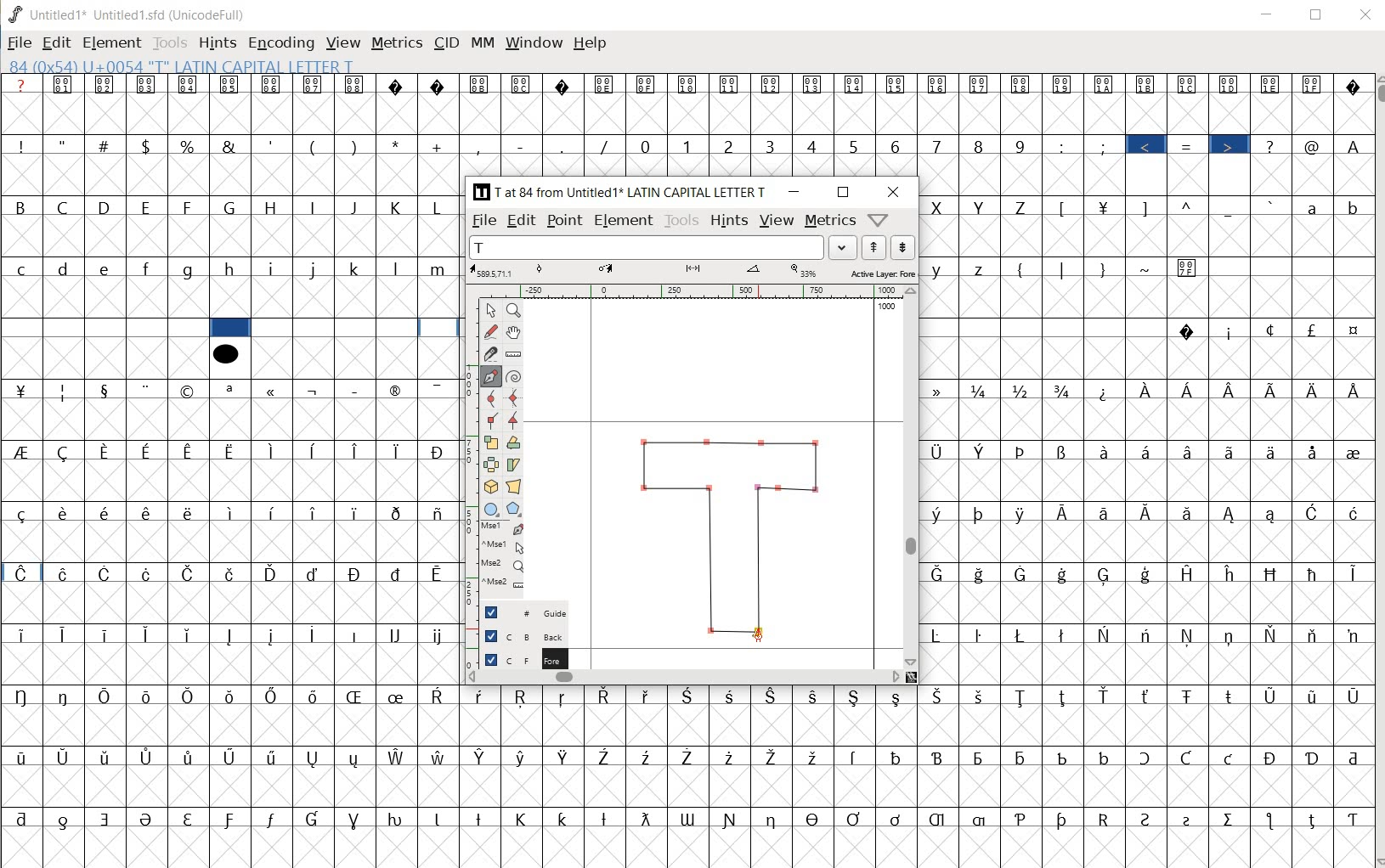 This screenshot has height=868, width=1385. What do you see at coordinates (492, 332) in the screenshot?
I see `freehand` at bounding box center [492, 332].